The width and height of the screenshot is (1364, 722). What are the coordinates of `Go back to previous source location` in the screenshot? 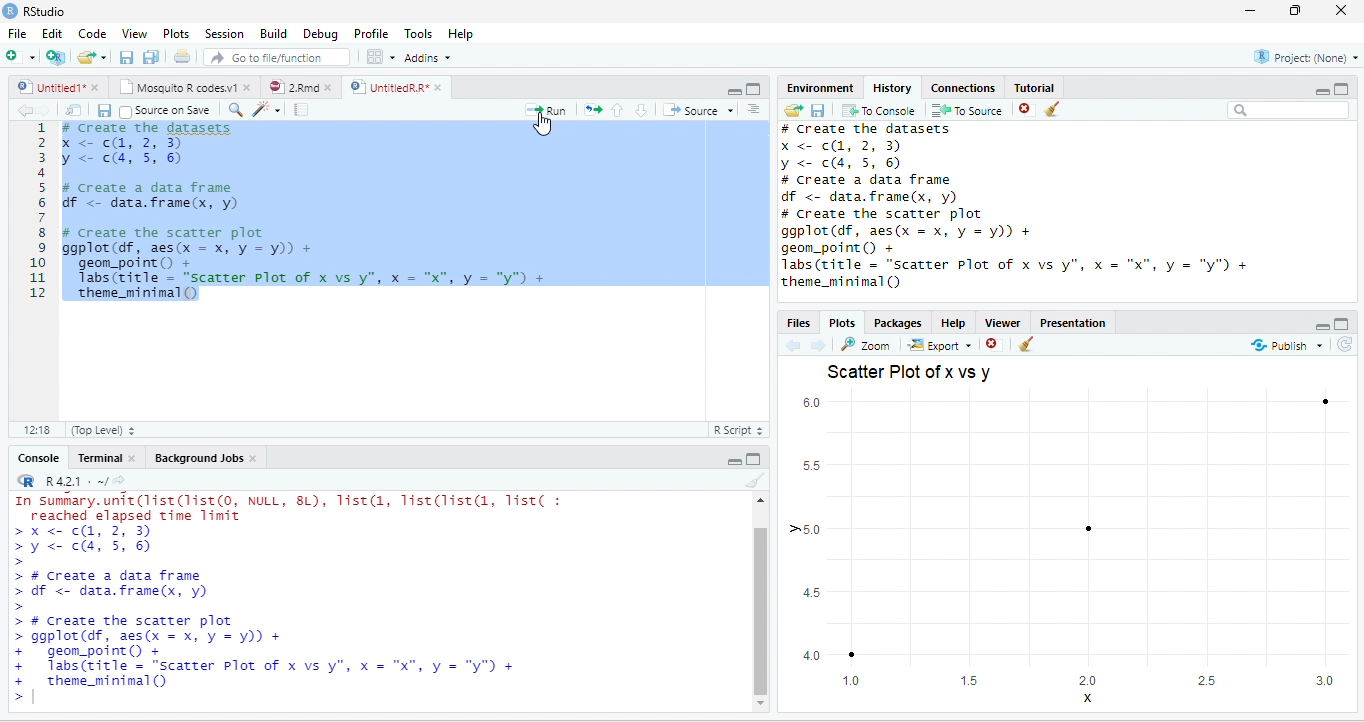 It's located at (24, 111).